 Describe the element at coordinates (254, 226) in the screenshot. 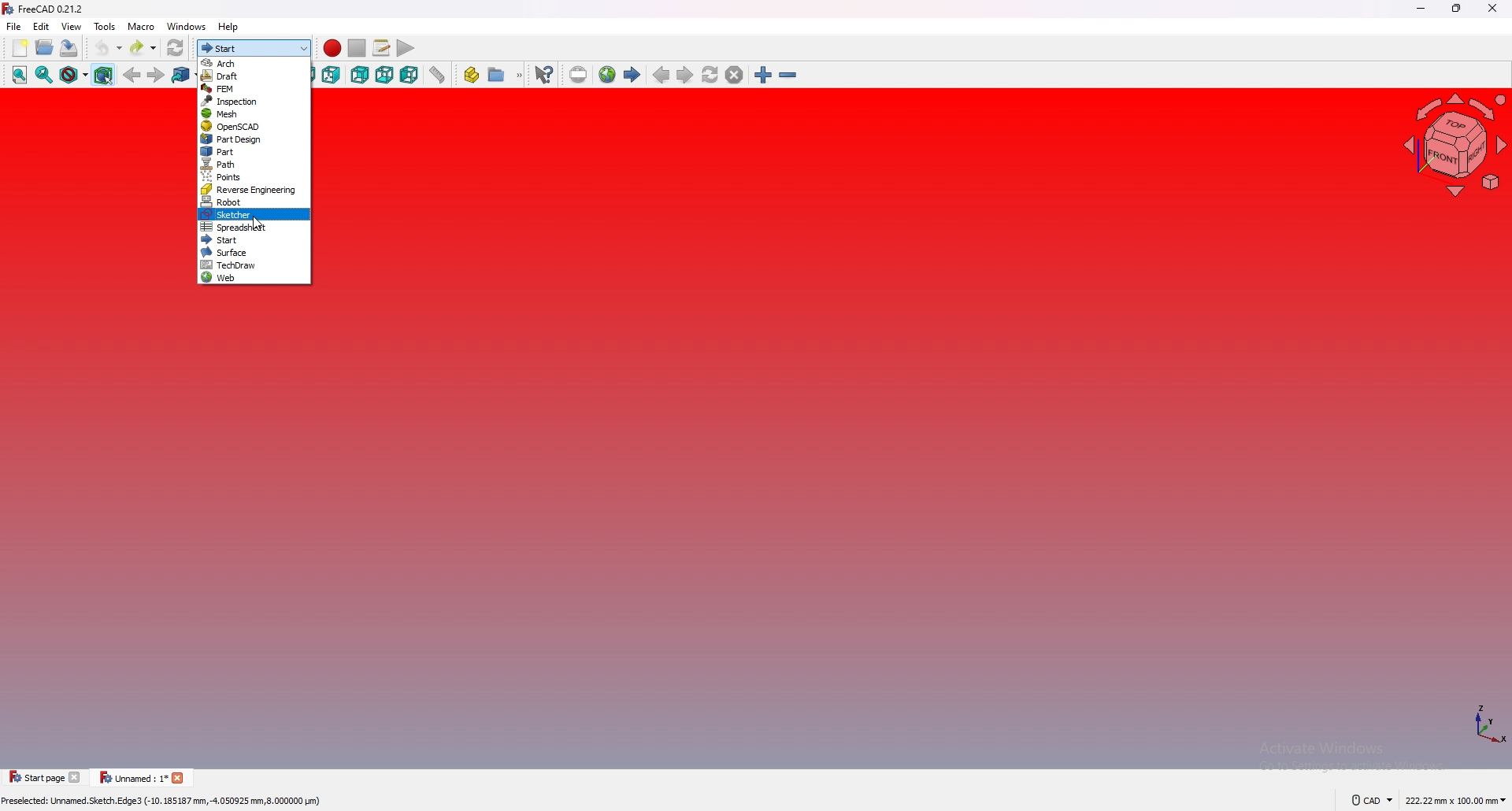

I see `spreadsheet` at that location.